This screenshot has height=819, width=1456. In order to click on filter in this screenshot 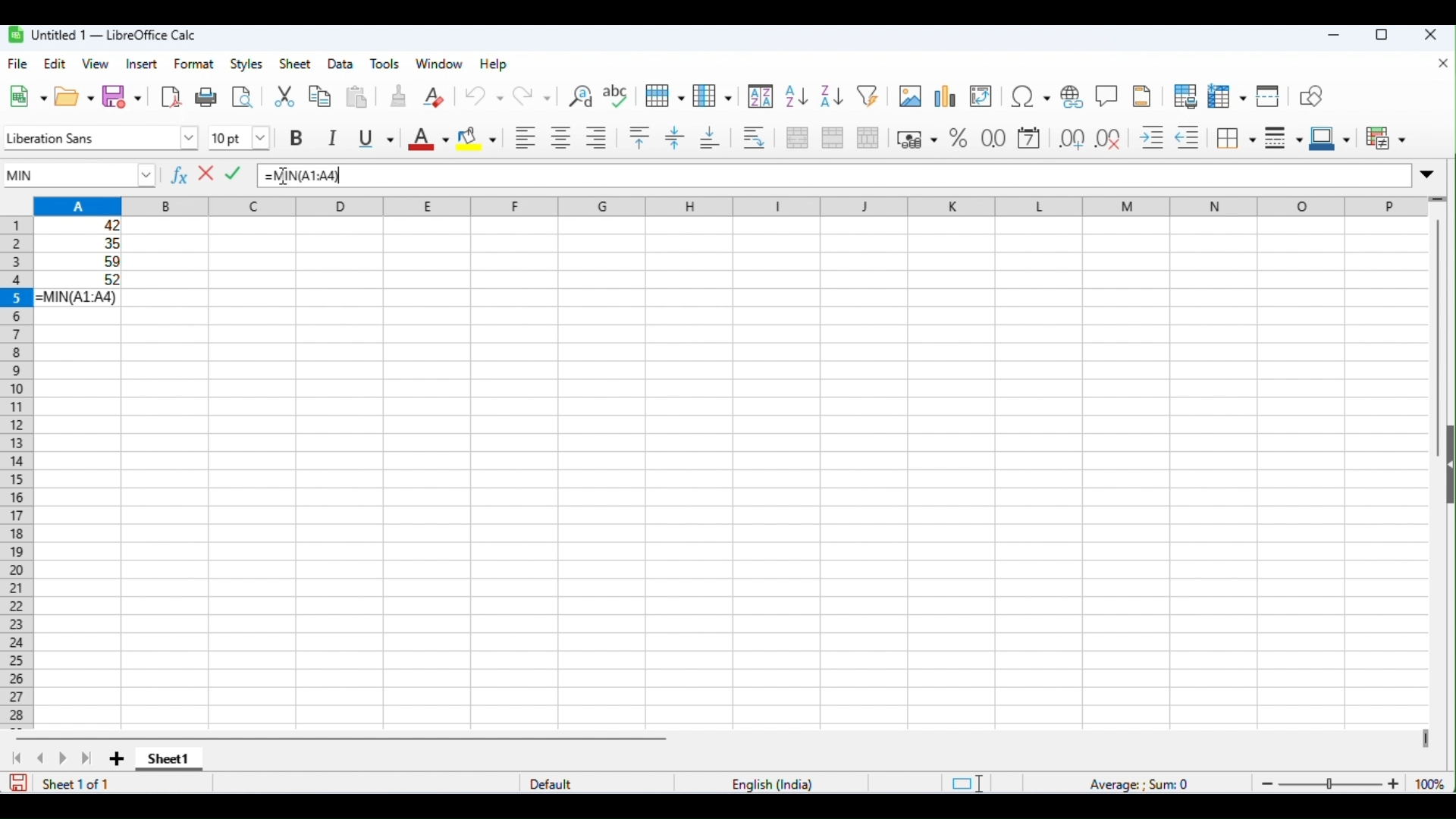, I will do `click(868, 95)`.